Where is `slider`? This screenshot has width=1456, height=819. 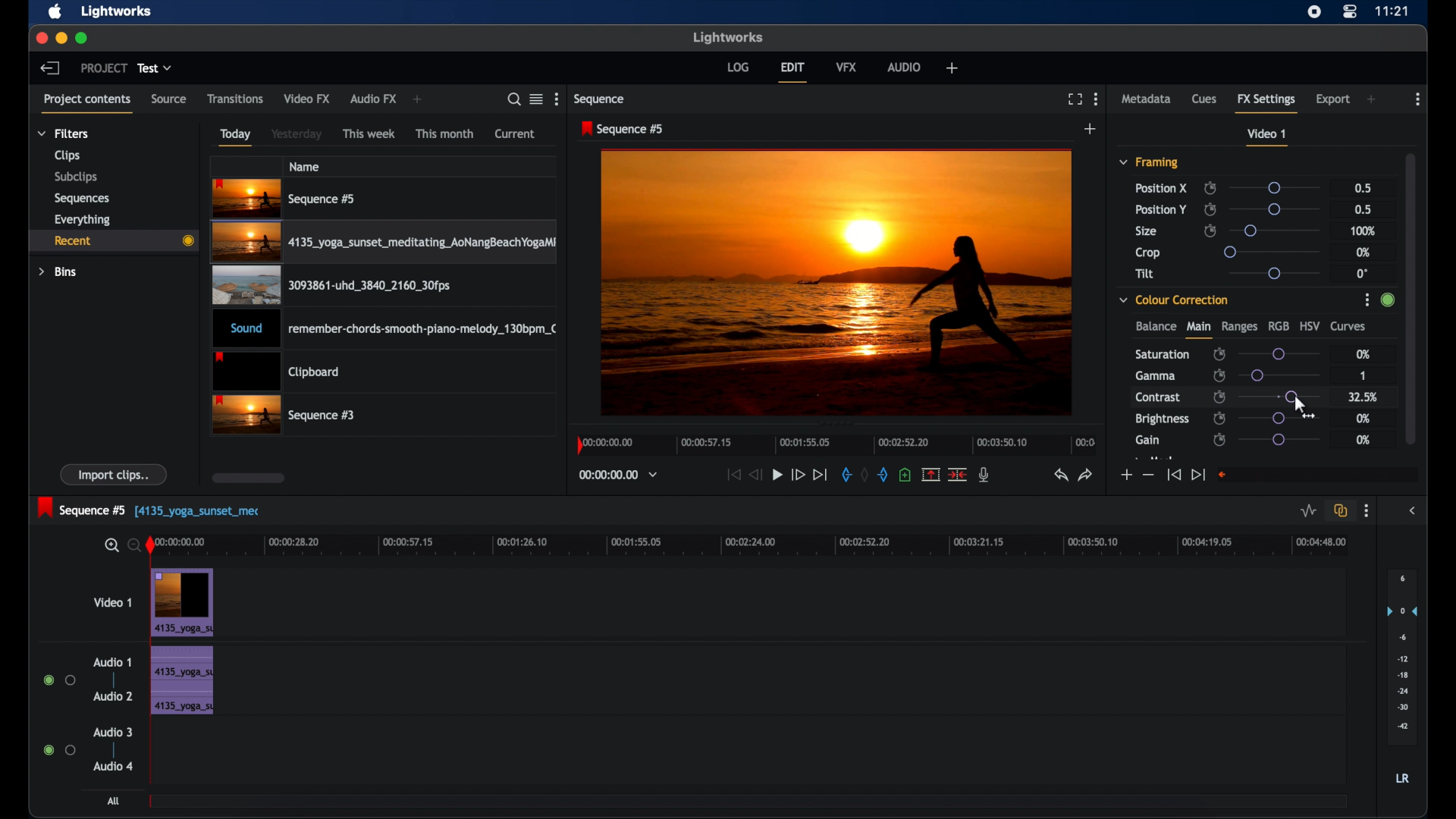 slider is located at coordinates (1277, 230).